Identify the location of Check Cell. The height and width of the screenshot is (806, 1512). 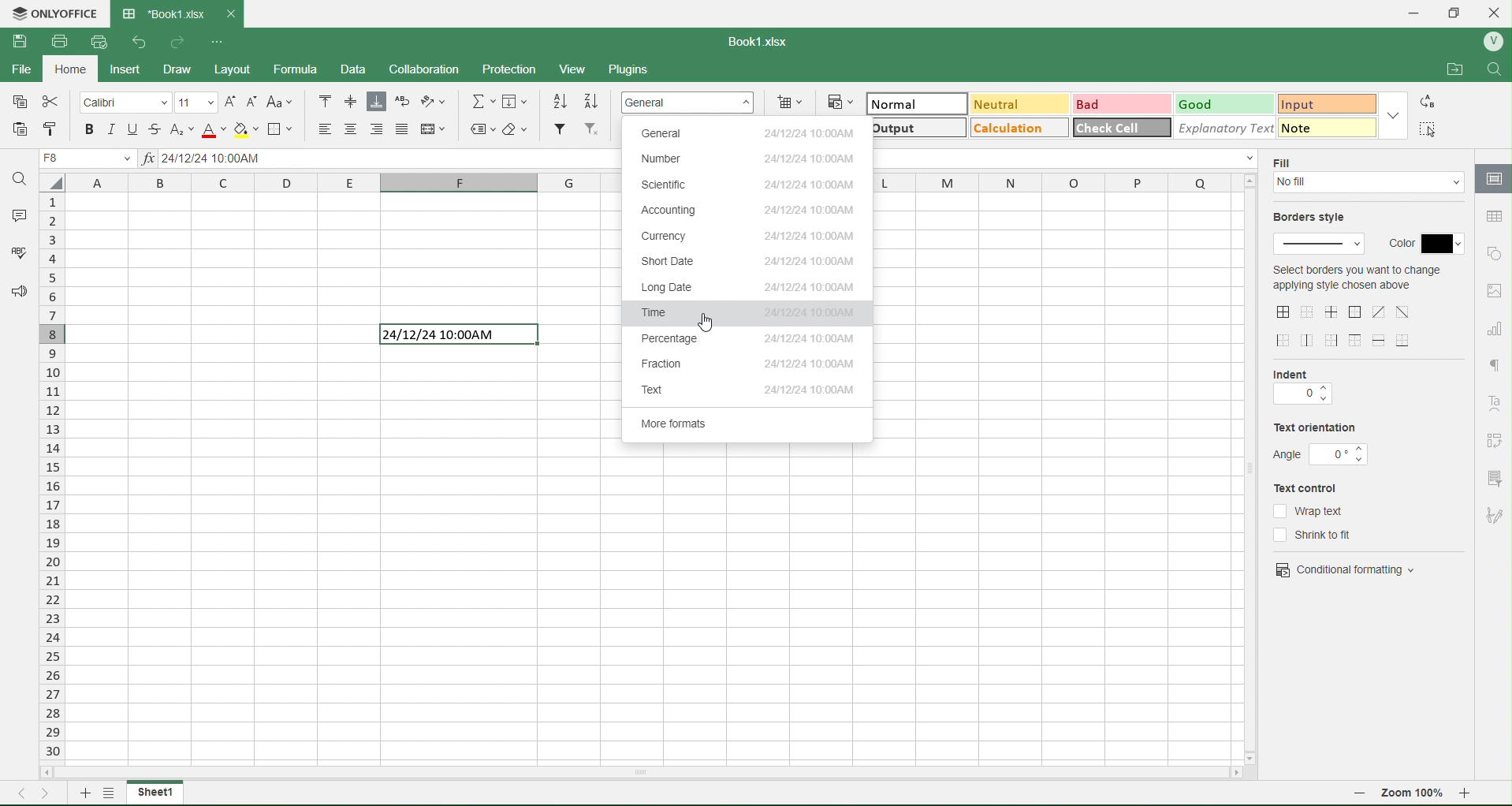
(1111, 129).